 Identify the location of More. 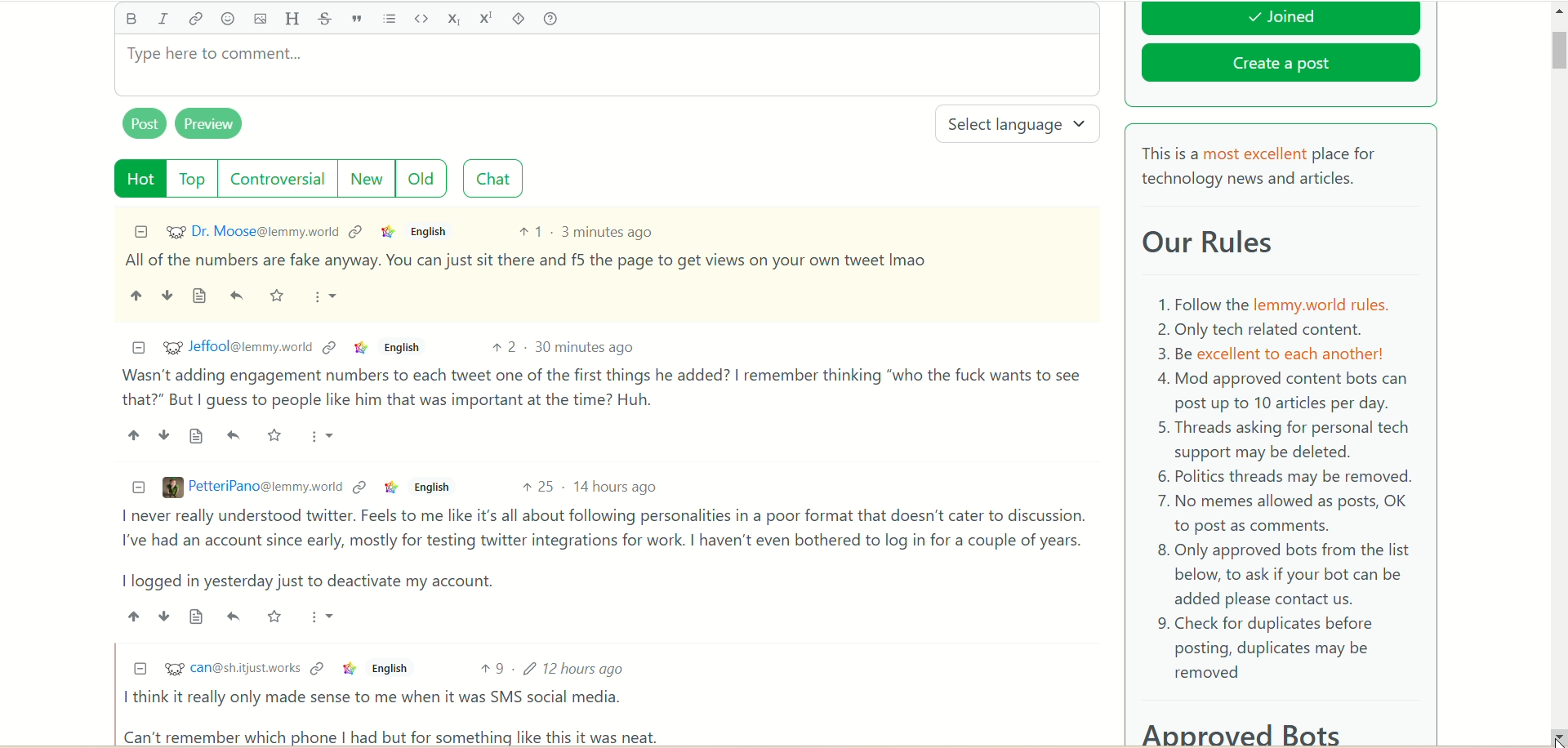
(325, 616).